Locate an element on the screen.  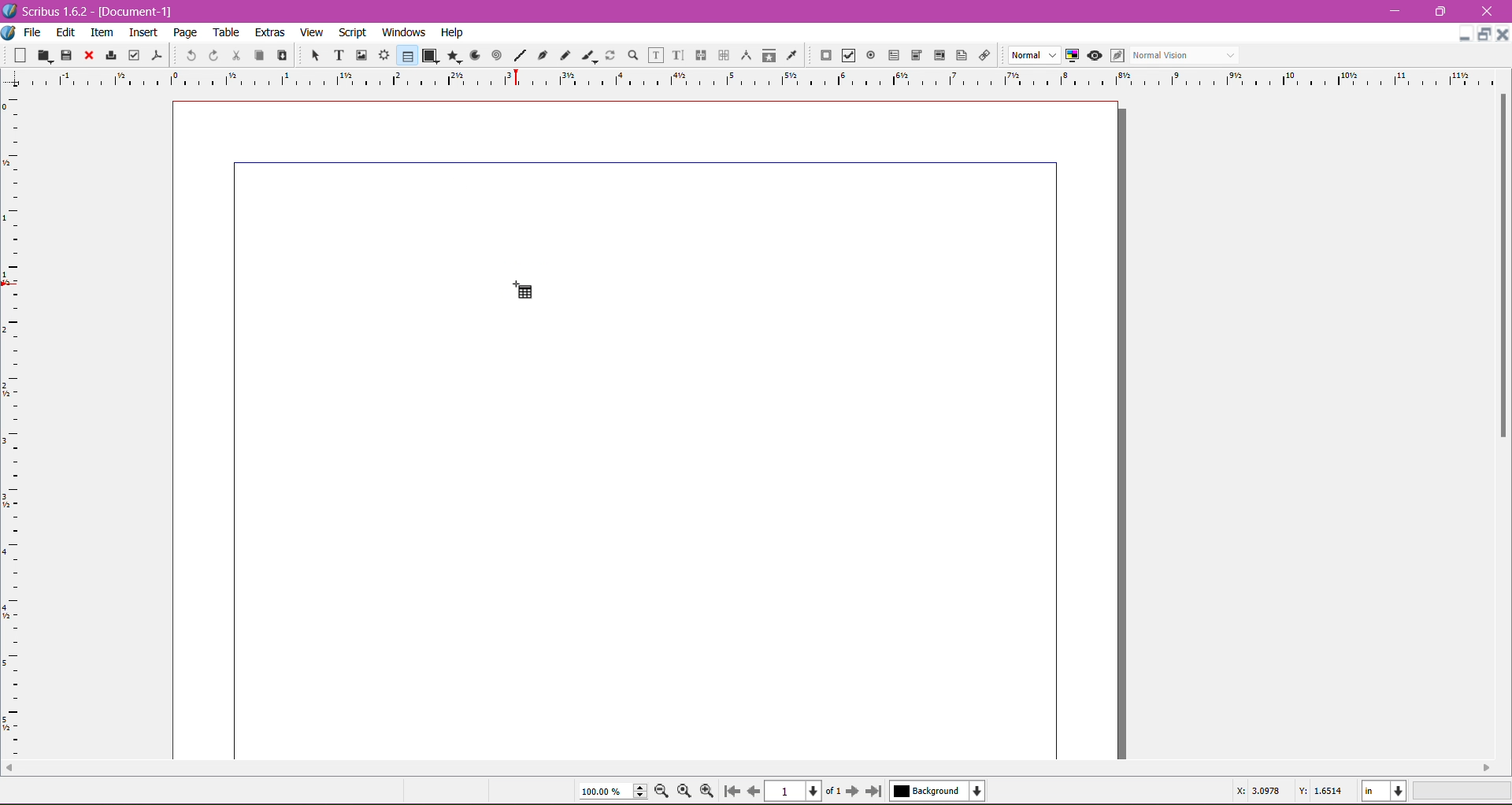
scroll bar is located at coordinates (748, 771).